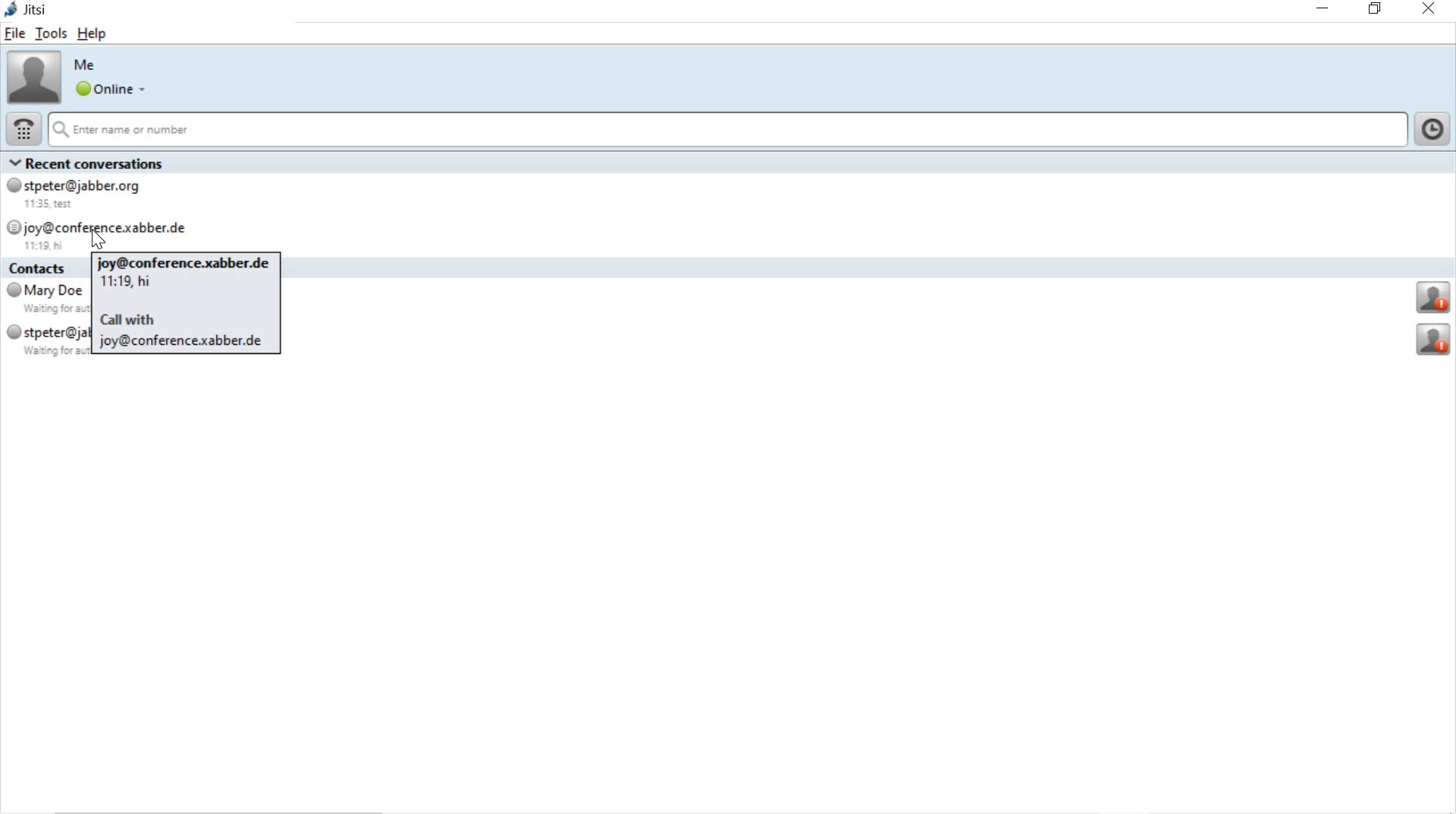 The width and height of the screenshot is (1456, 814). What do you see at coordinates (92, 196) in the screenshot?
I see `stpeter@jabber.org 11:35 test` at bounding box center [92, 196].